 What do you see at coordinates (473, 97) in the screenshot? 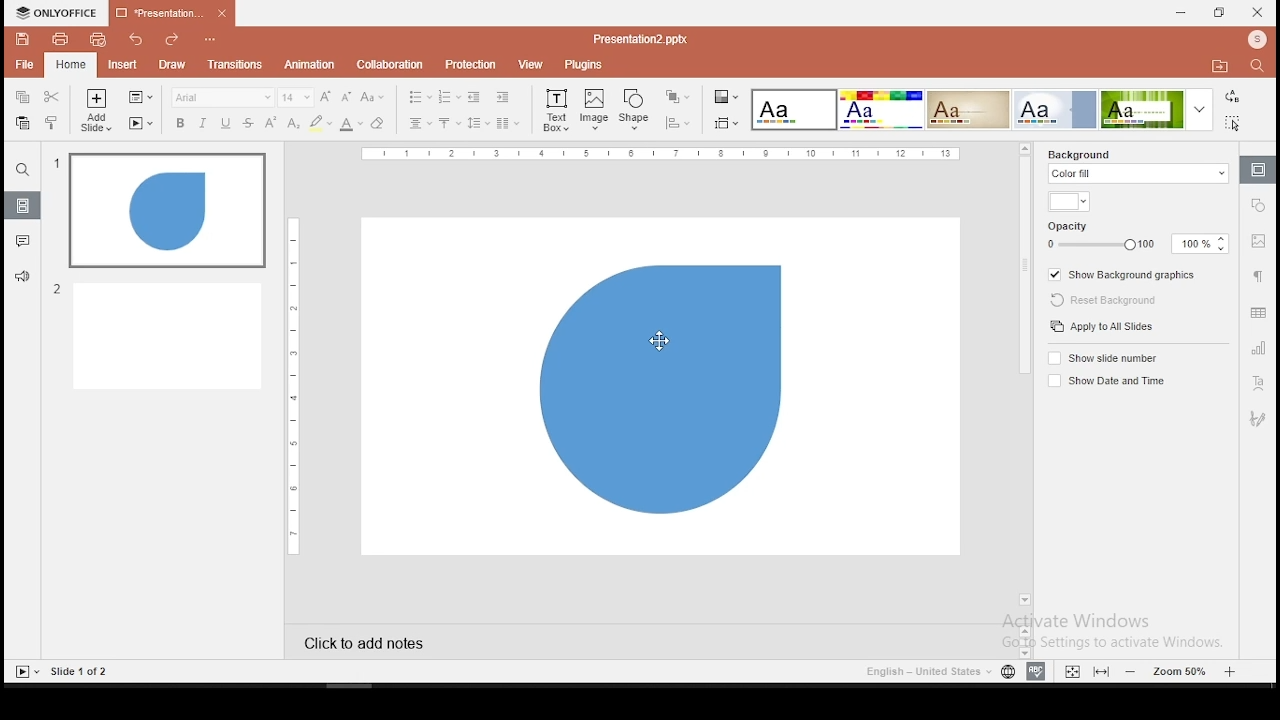
I see `decrease indent` at bounding box center [473, 97].